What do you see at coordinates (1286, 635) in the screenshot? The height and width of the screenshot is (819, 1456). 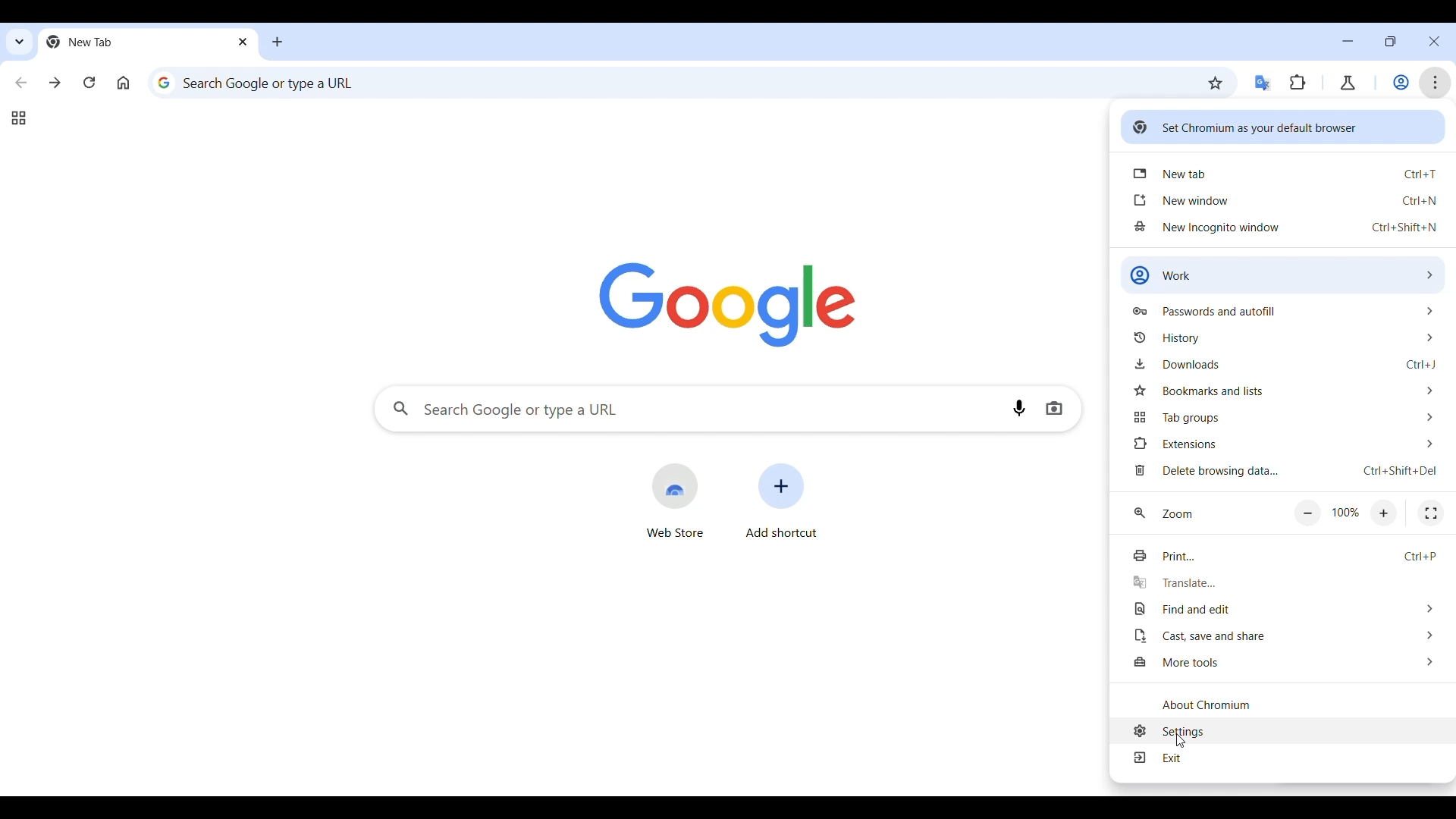 I see `Cast, save and share options` at bounding box center [1286, 635].